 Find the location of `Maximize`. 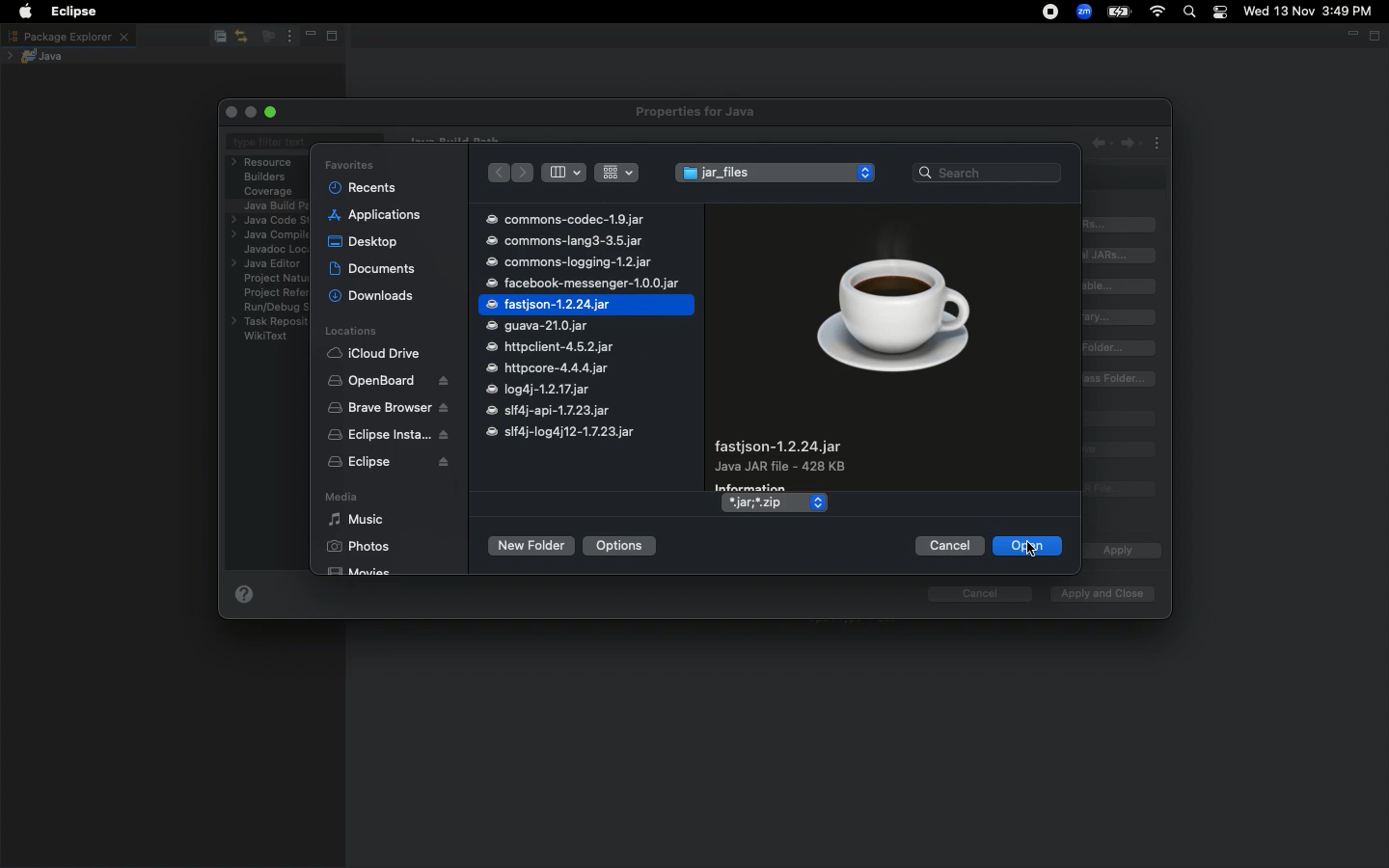

Maximize is located at coordinates (273, 112).